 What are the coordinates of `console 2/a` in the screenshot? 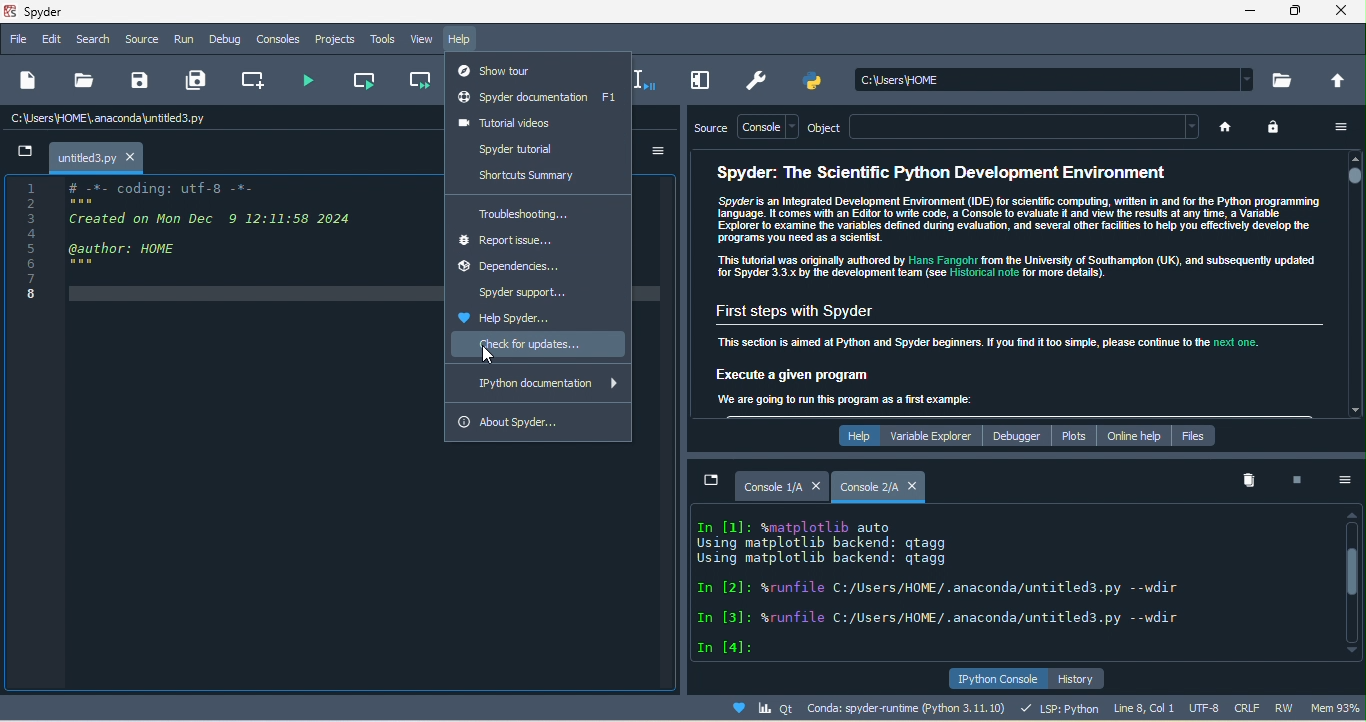 It's located at (868, 487).